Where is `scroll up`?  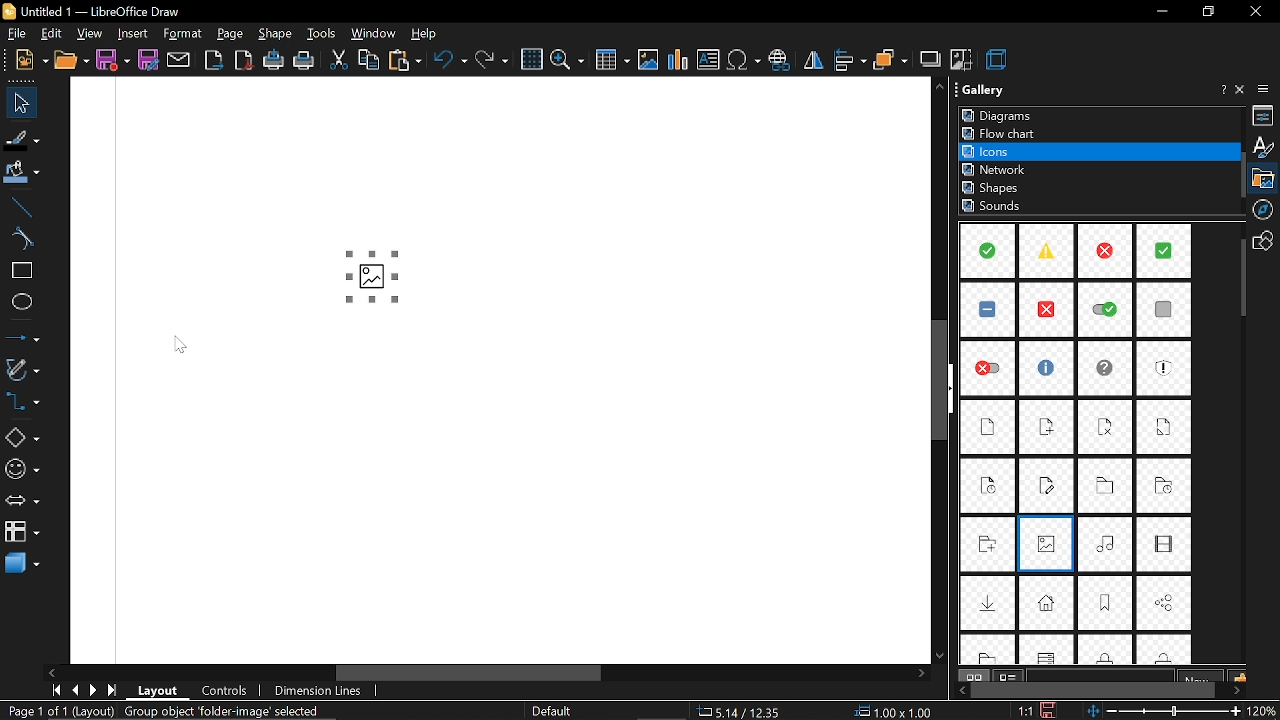 scroll up is located at coordinates (936, 87).